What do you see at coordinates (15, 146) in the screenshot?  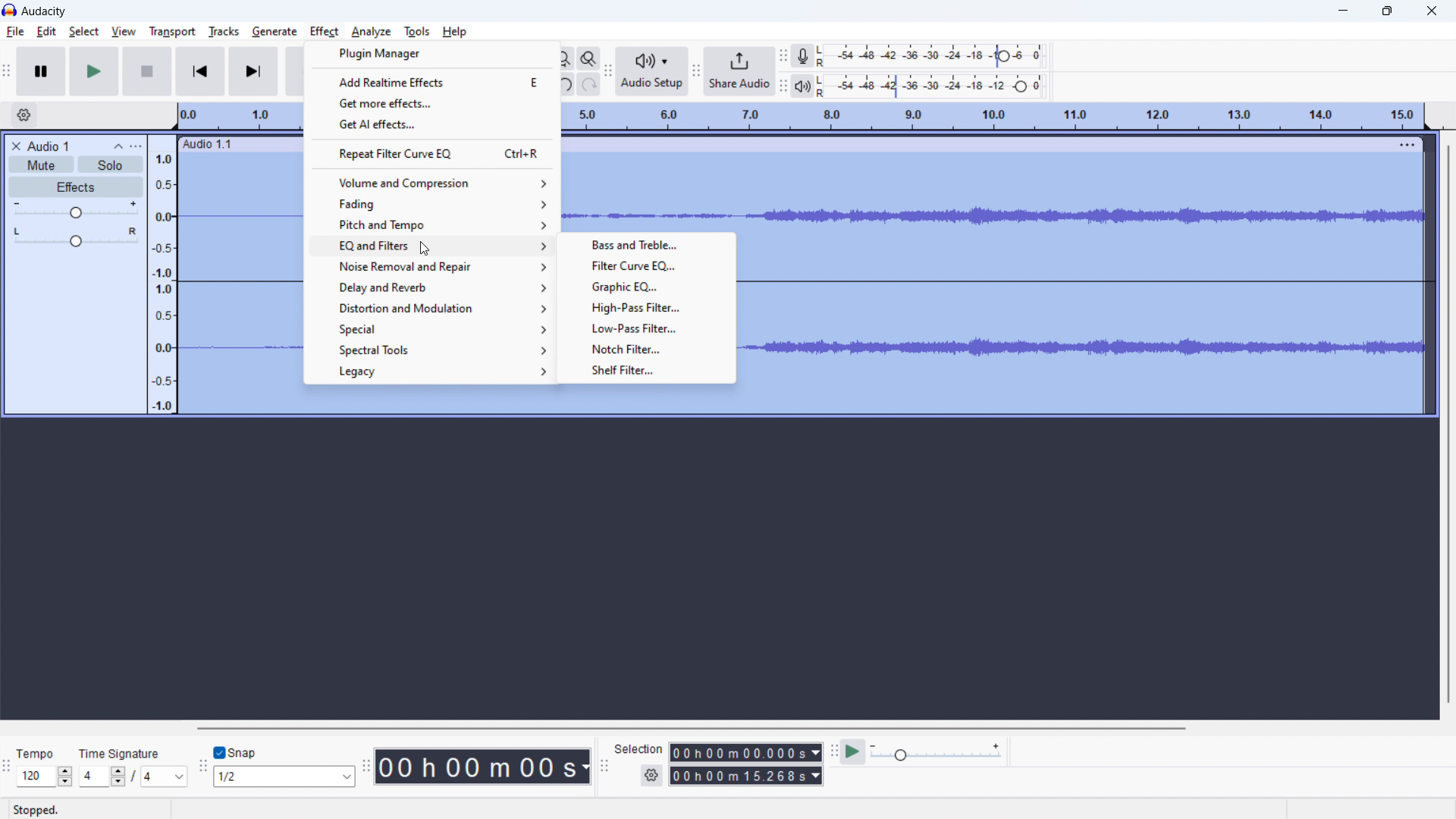 I see `delete audio` at bounding box center [15, 146].